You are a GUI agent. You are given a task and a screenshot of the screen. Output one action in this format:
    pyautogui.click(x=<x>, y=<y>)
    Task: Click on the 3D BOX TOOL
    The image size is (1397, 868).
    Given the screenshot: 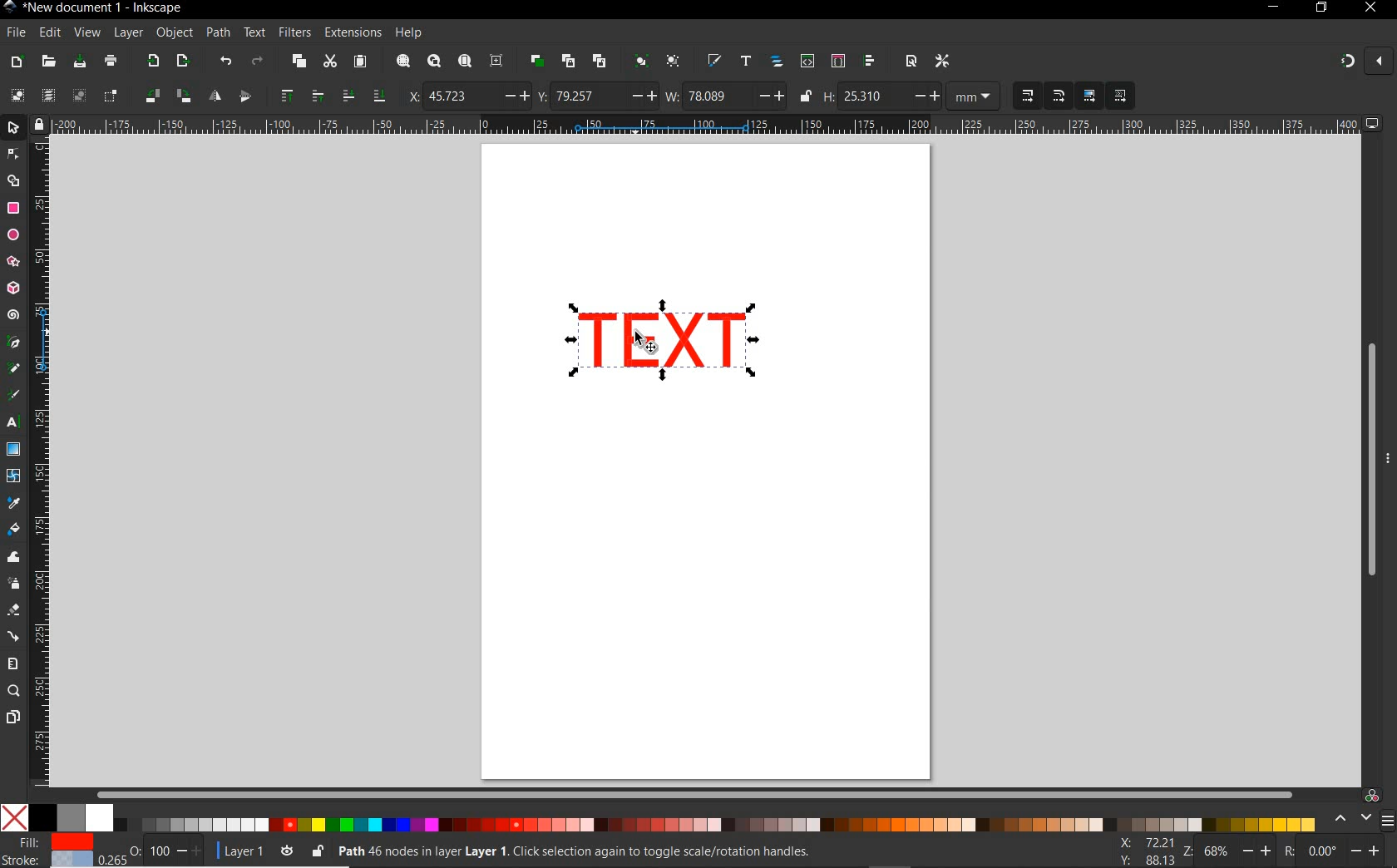 What is the action you would take?
    pyautogui.click(x=12, y=289)
    